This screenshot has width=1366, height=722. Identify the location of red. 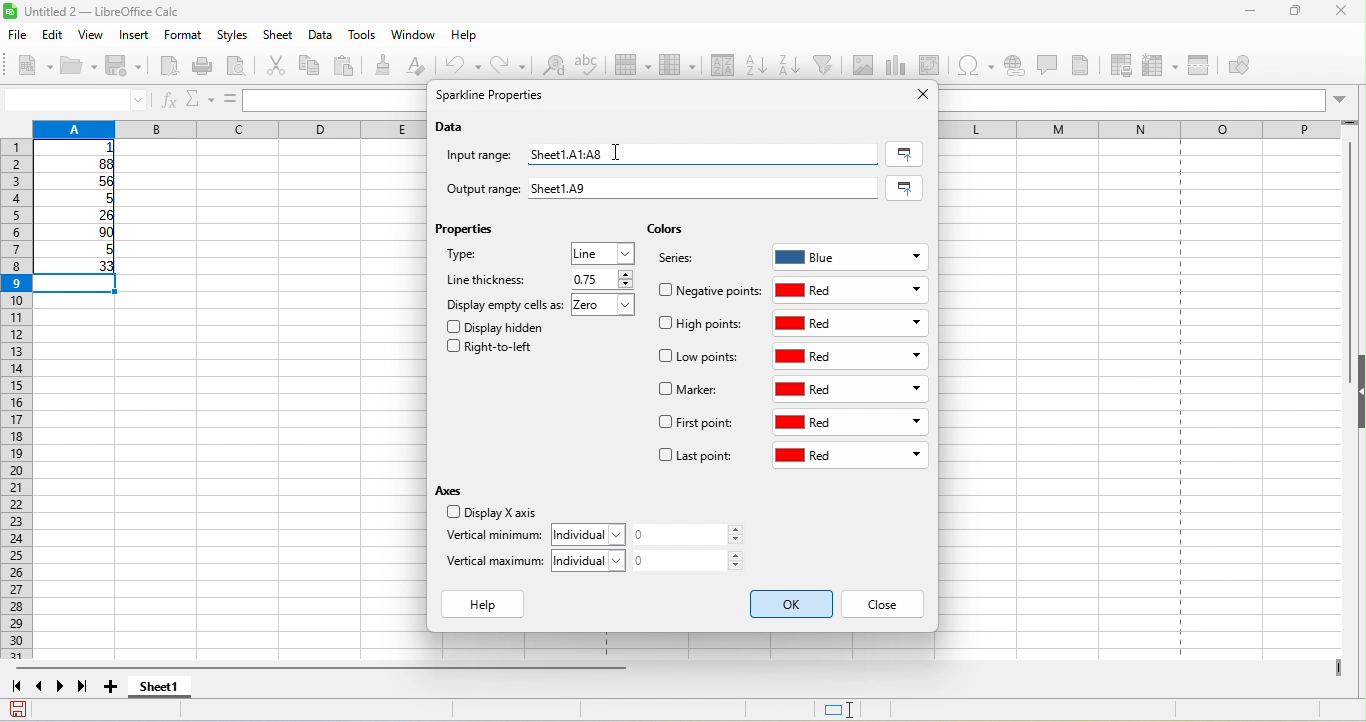
(851, 323).